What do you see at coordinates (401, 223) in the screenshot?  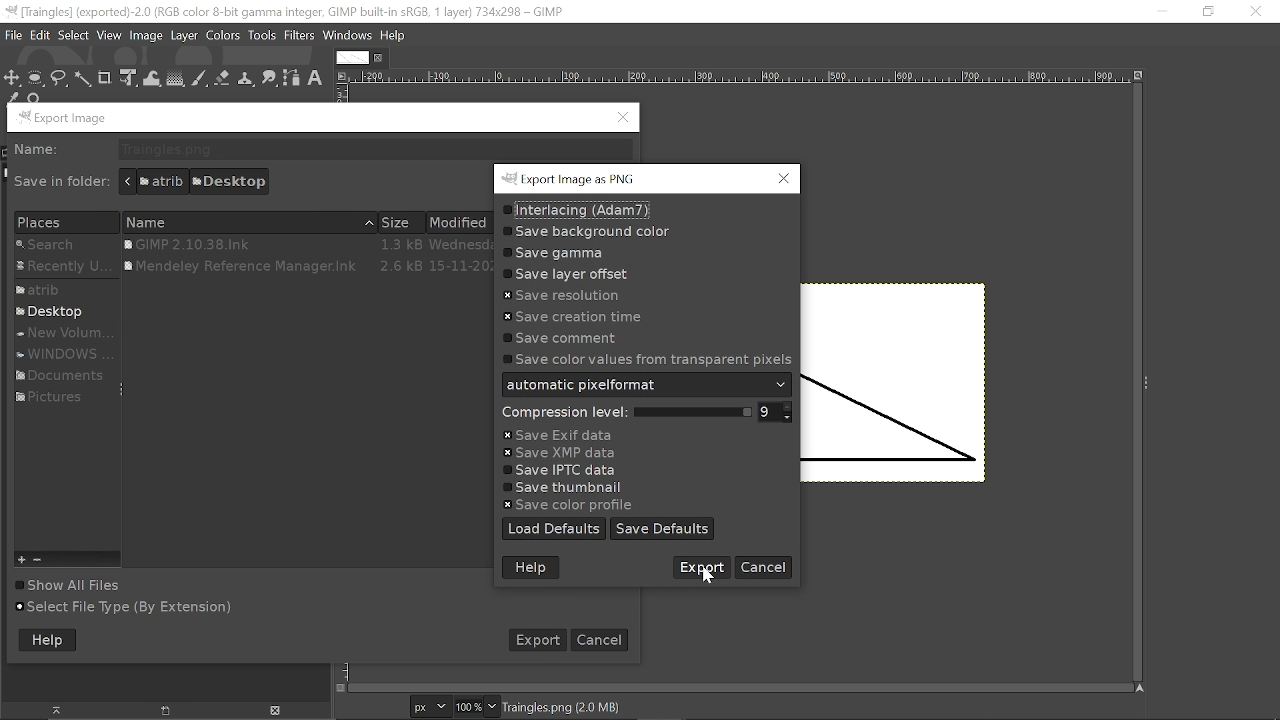 I see `Size of te file` at bounding box center [401, 223].